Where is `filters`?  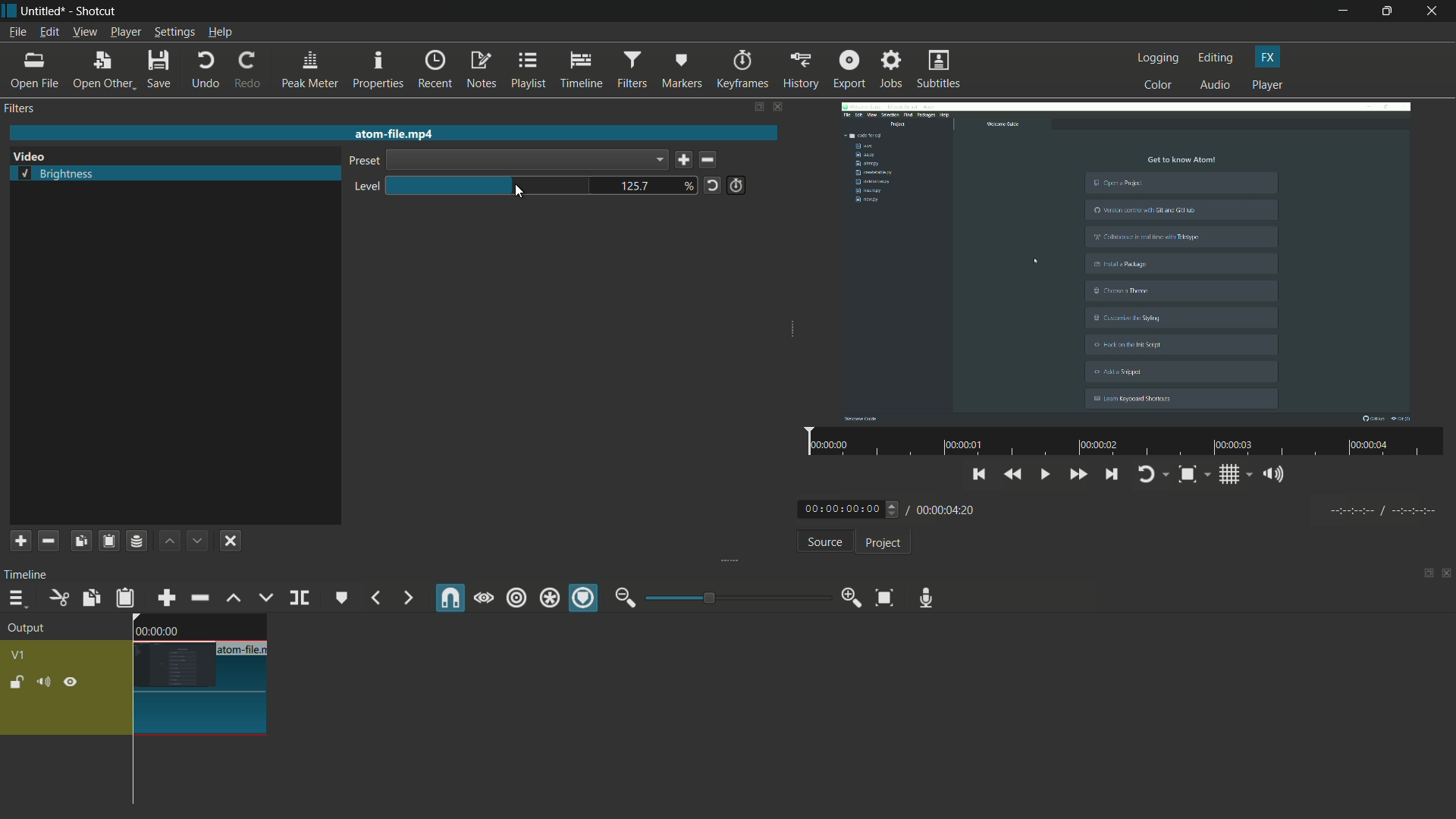
filters is located at coordinates (631, 70).